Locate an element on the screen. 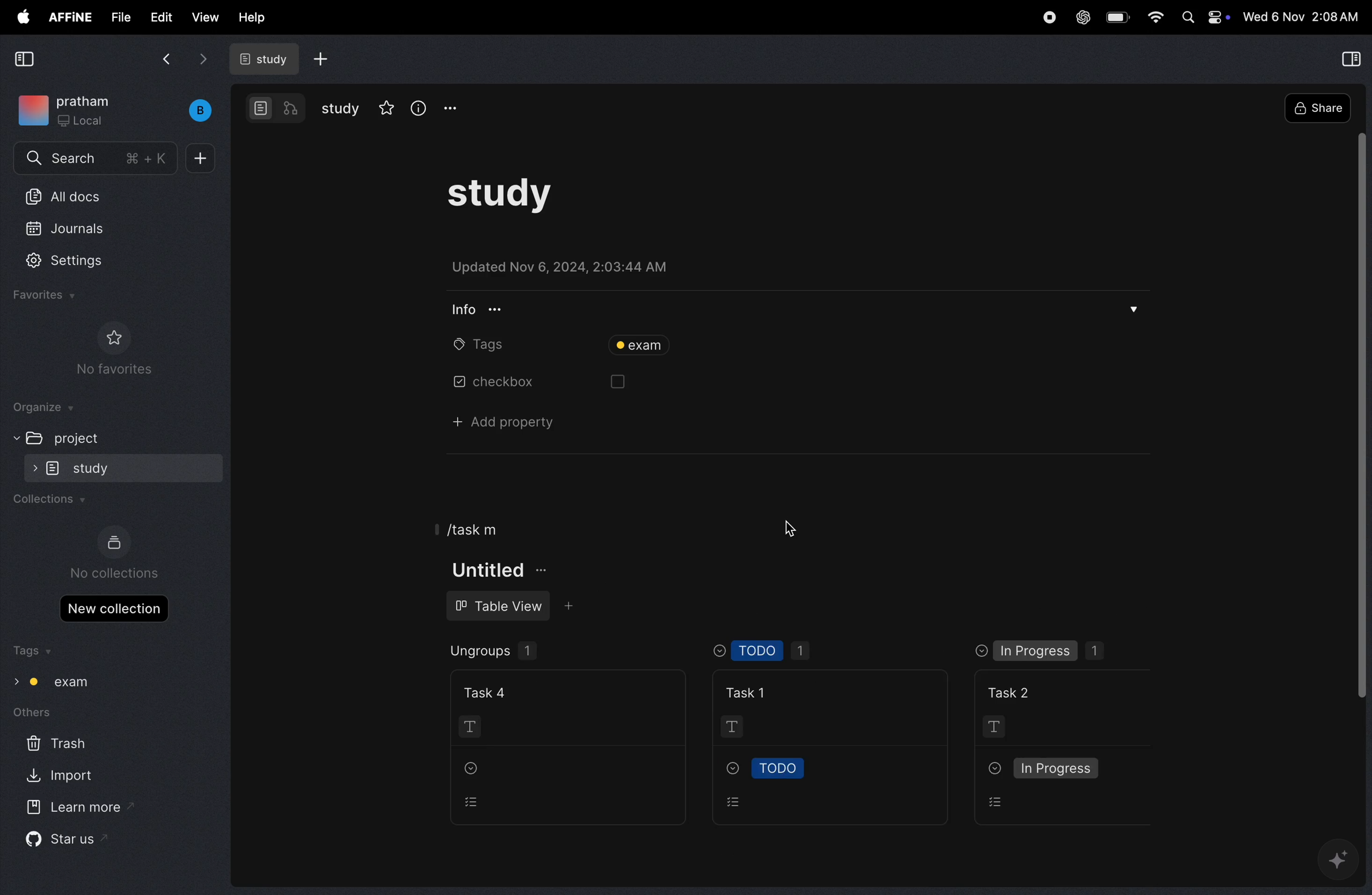  tag exam is located at coordinates (59, 683).